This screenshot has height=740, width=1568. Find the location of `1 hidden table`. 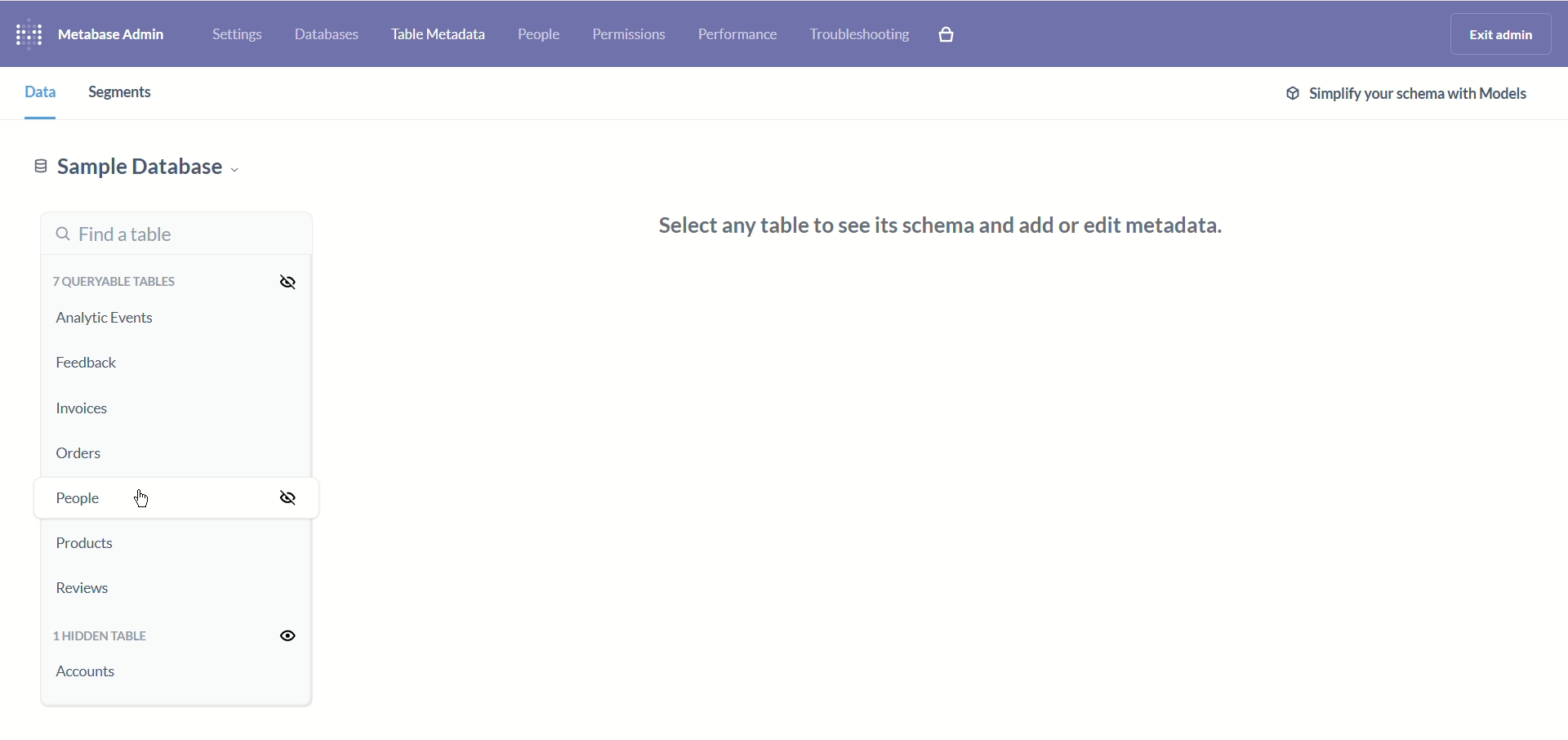

1 hidden table is located at coordinates (106, 637).